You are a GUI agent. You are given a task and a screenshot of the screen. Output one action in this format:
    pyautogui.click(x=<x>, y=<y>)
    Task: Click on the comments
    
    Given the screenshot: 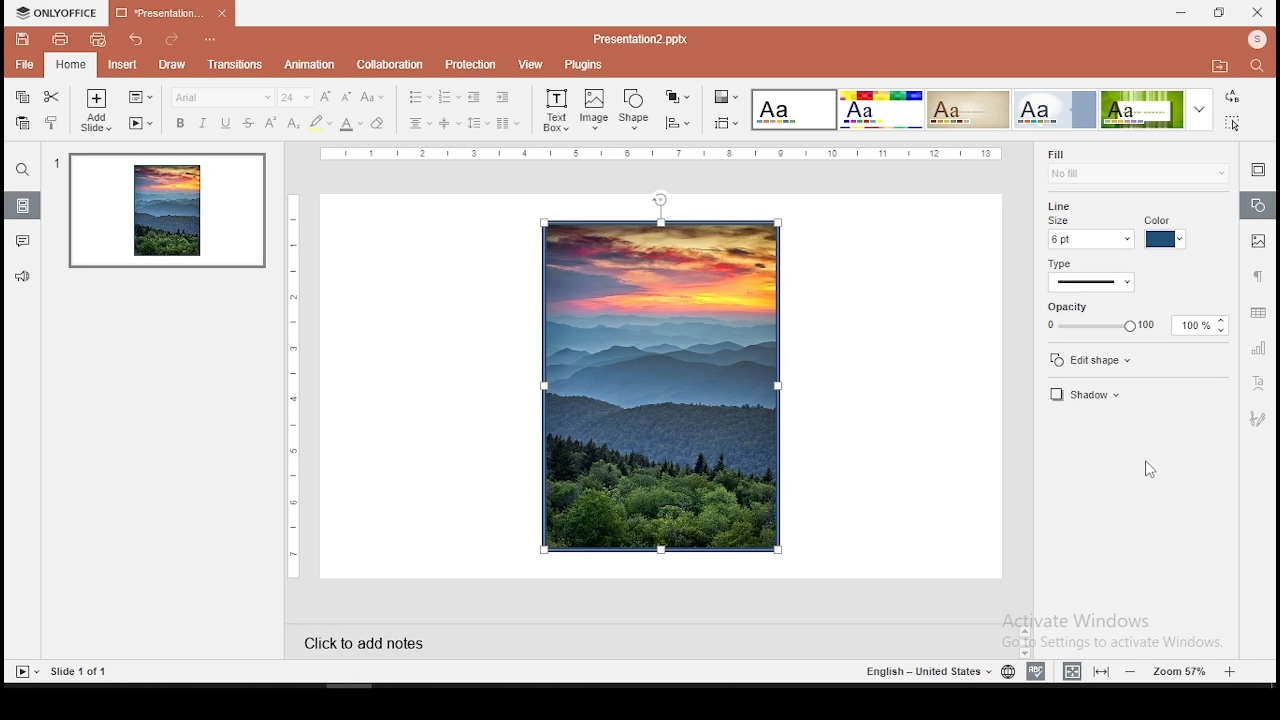 What is the action you would take?
    pyautogui.click(x=24, y=240)
    